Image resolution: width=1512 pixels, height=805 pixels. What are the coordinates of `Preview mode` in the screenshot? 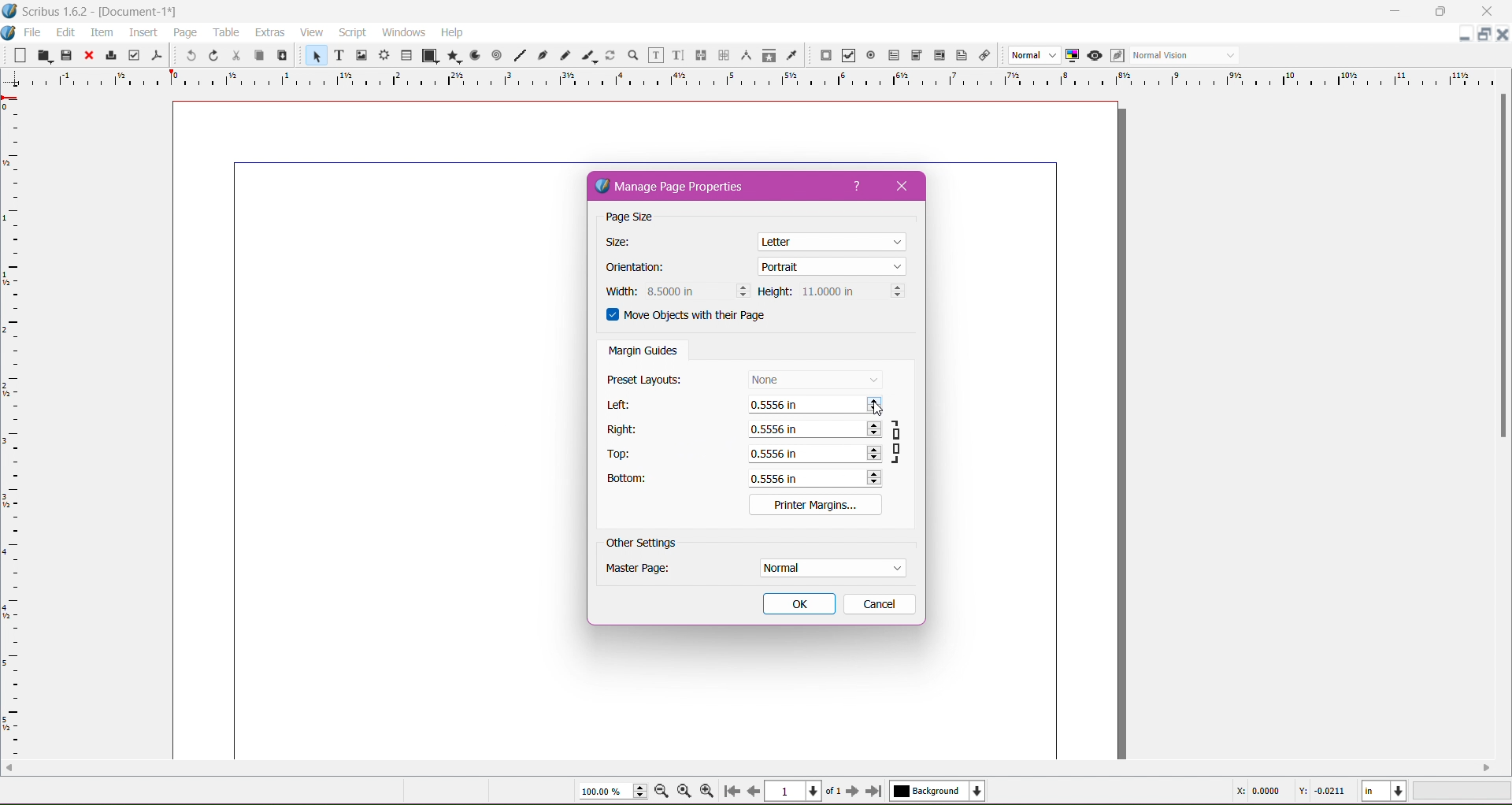 It's located at (1095, 56).